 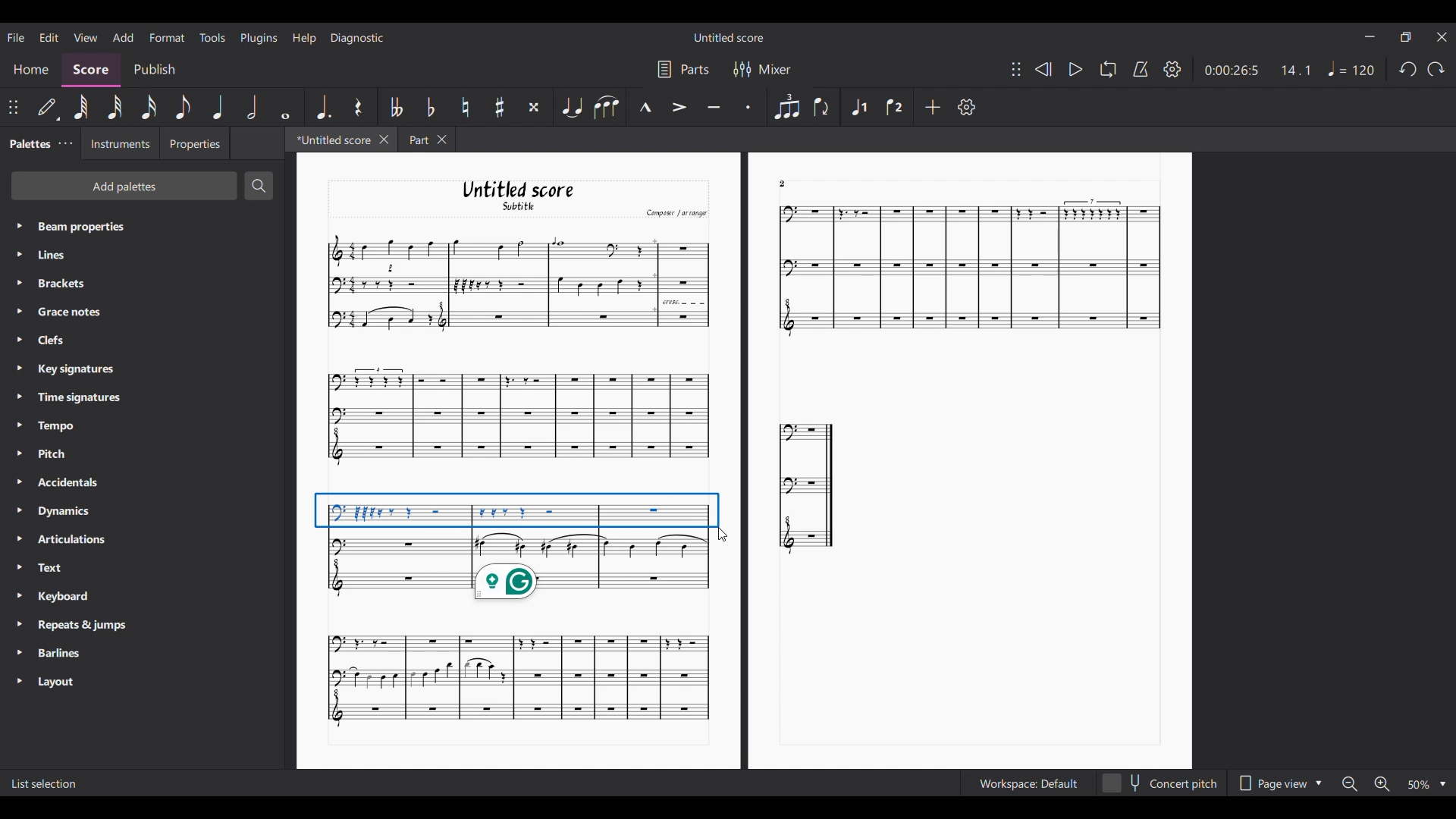 What do you see at coordinates (27, 142) in the screenshot?
I see `Palettes ` at bounding box center [27, 142].